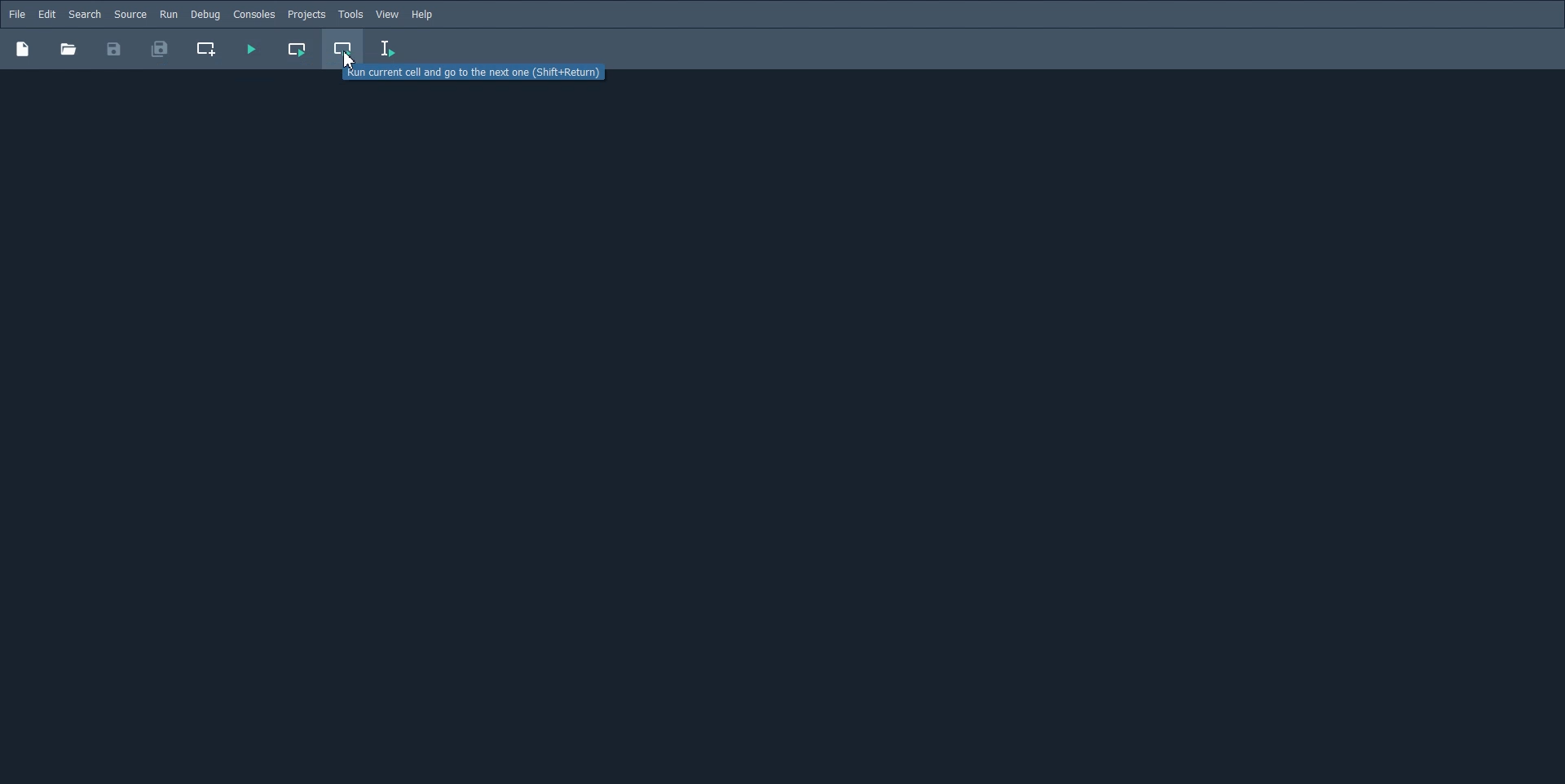  What do you see at coordinates (130, 14) in the screenshot?
I see `Source` at bounding box center [130, 14].